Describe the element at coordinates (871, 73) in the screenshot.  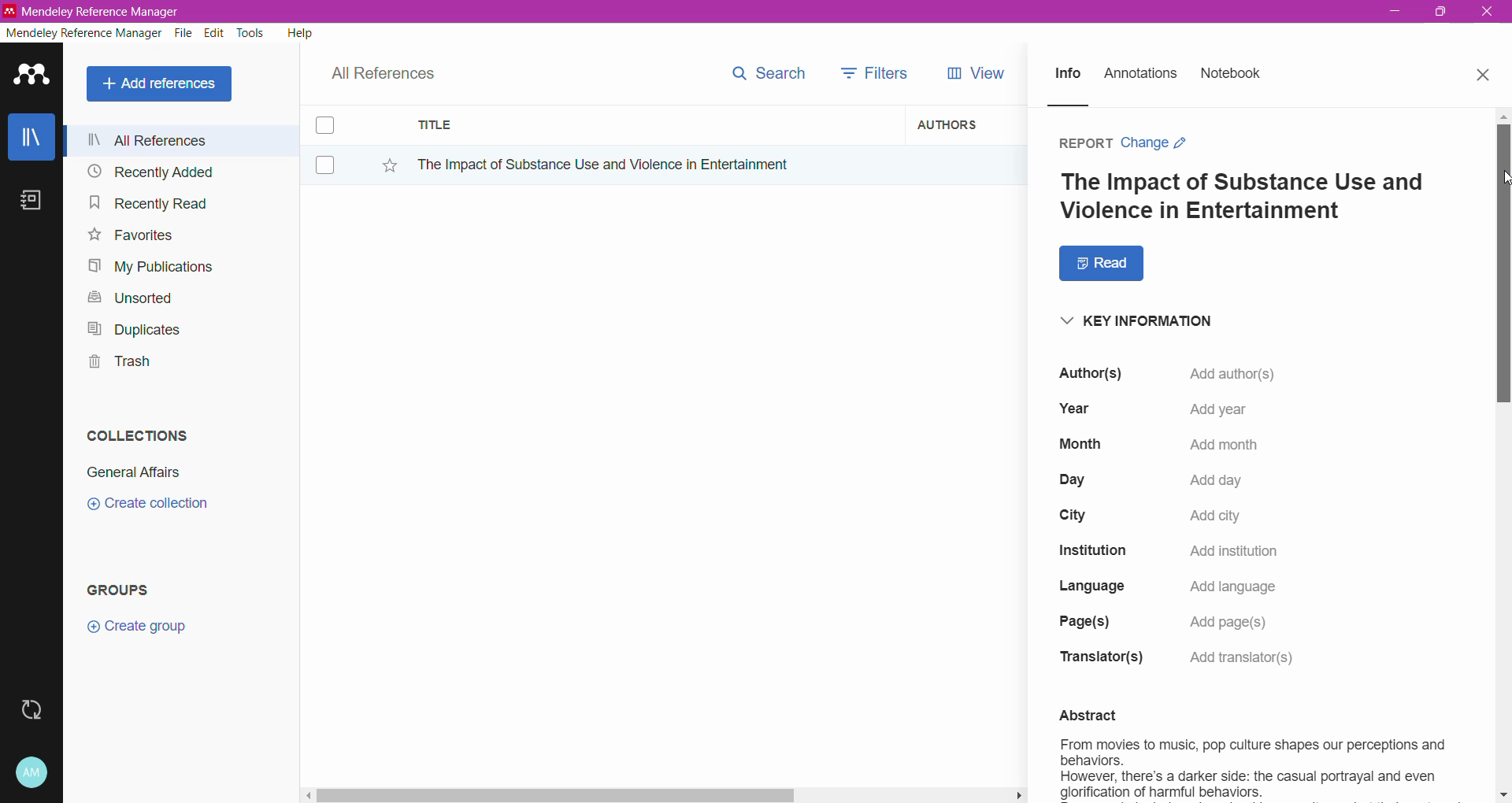
I see `Filters` at that location.